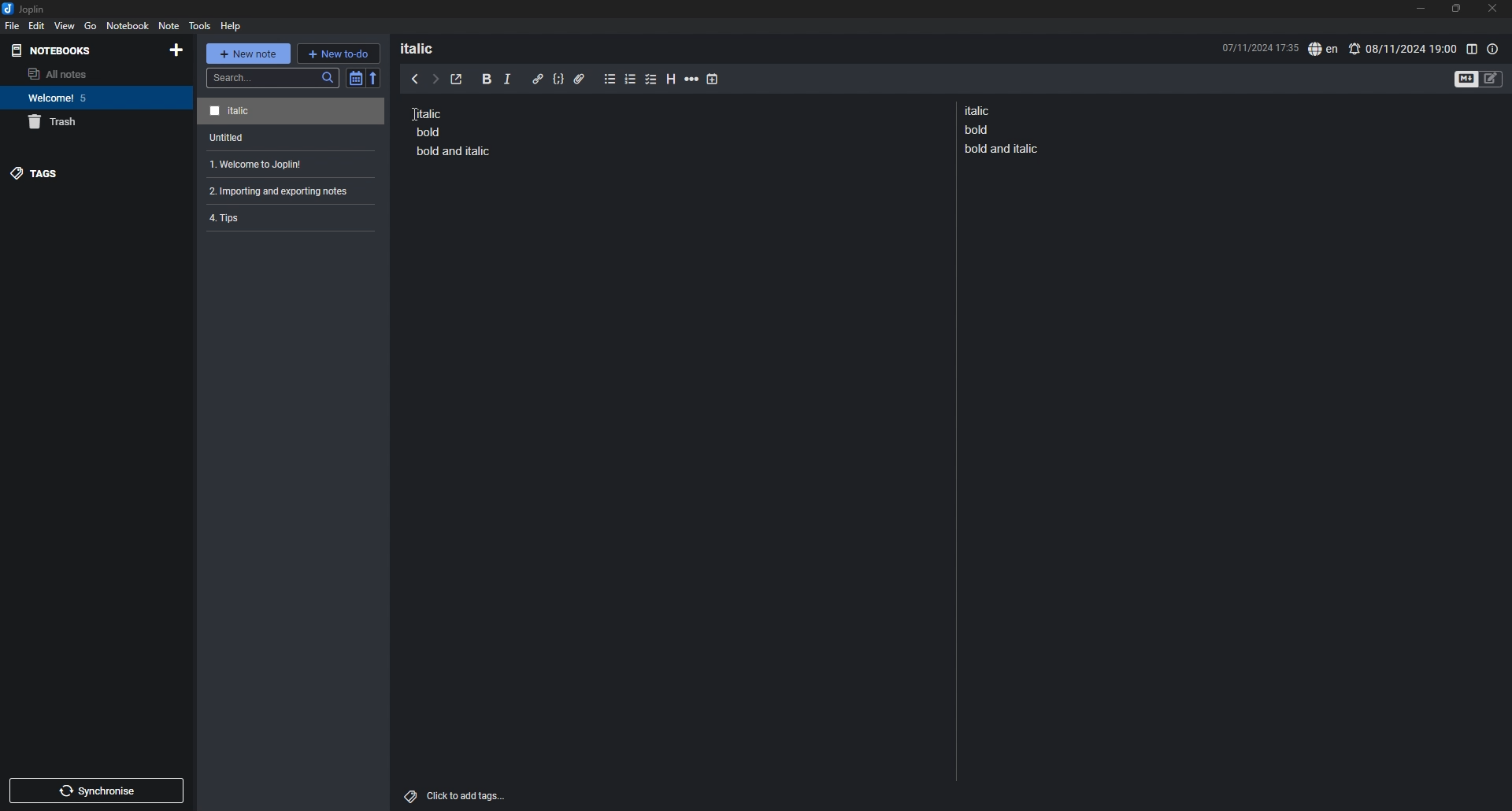 This screenshot has height=811, width=1512. What do you see at coordinates (55, 50) in the screenshot?
I see `notebooks` at bounding box center [55, 50].